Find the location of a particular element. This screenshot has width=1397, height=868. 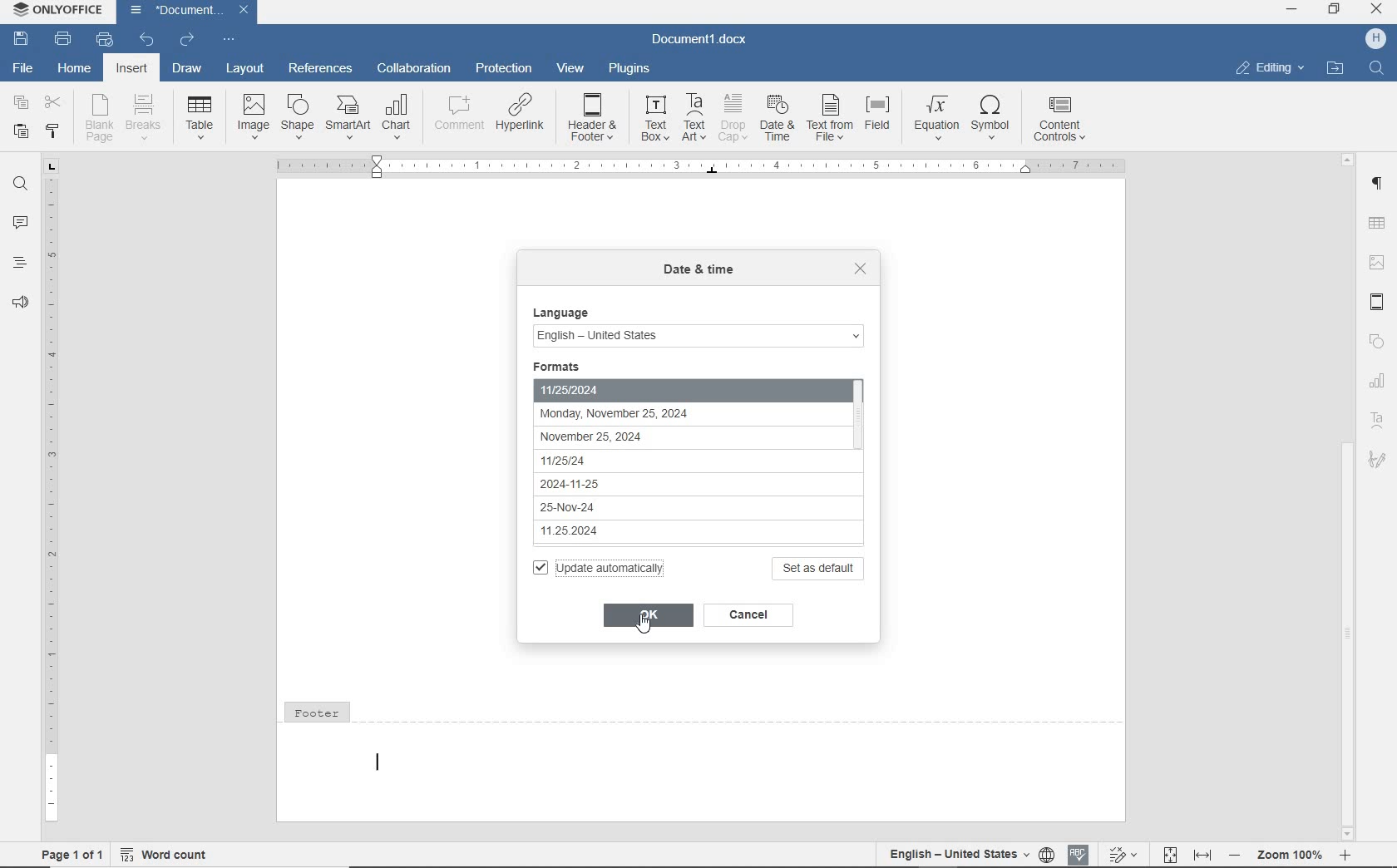

Signature is located at coordinates (1380, 465).